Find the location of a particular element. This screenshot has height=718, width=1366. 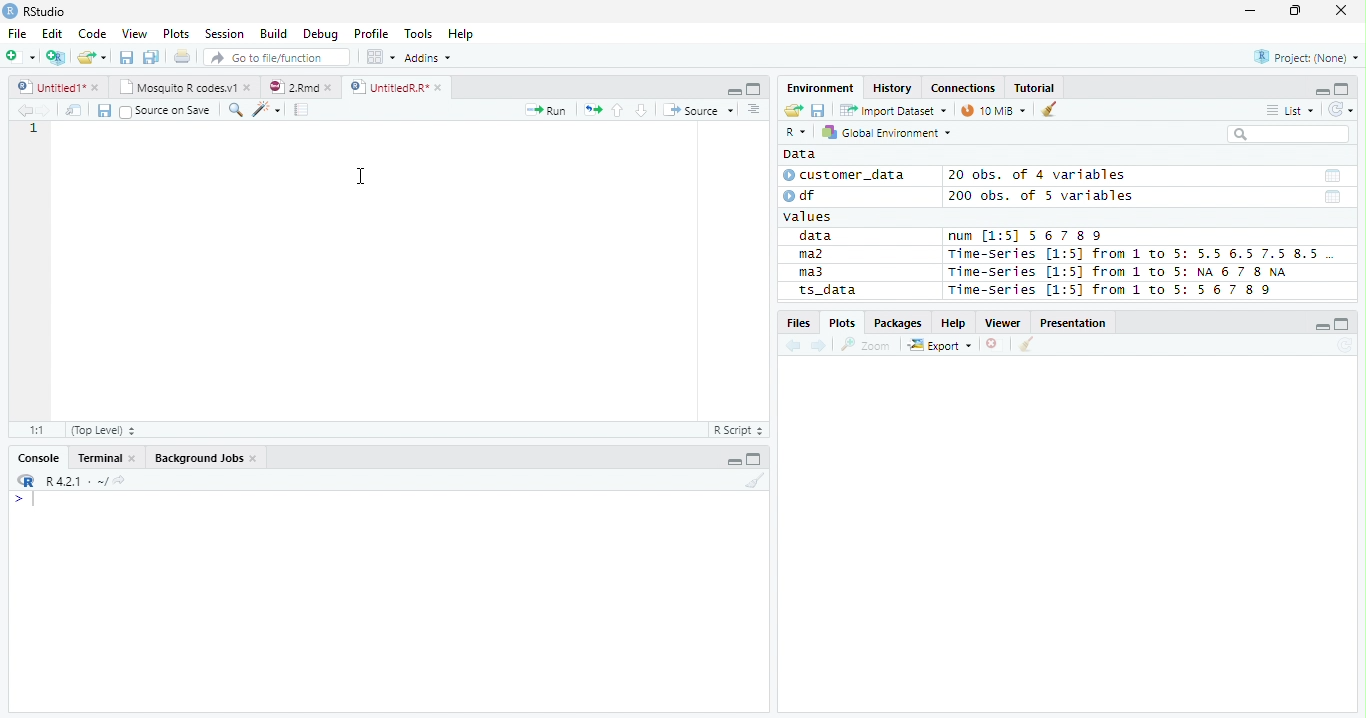

Clean is located at coordinates (1027, 344).